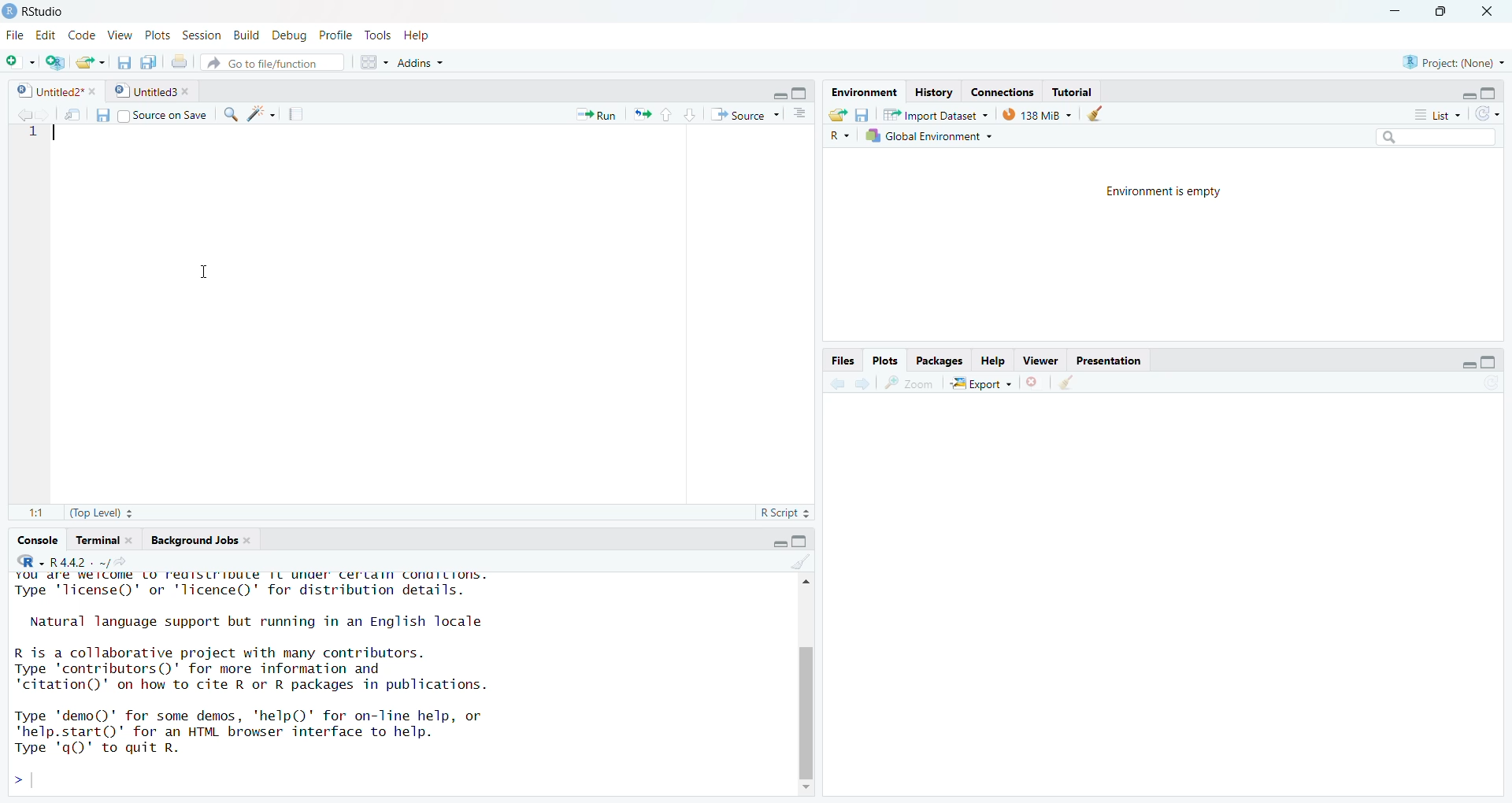 The width and height of the screenshot is (1512, 803). Describe the element at coordinates (839, 136) in the screenshot. I see `R~` at that location.